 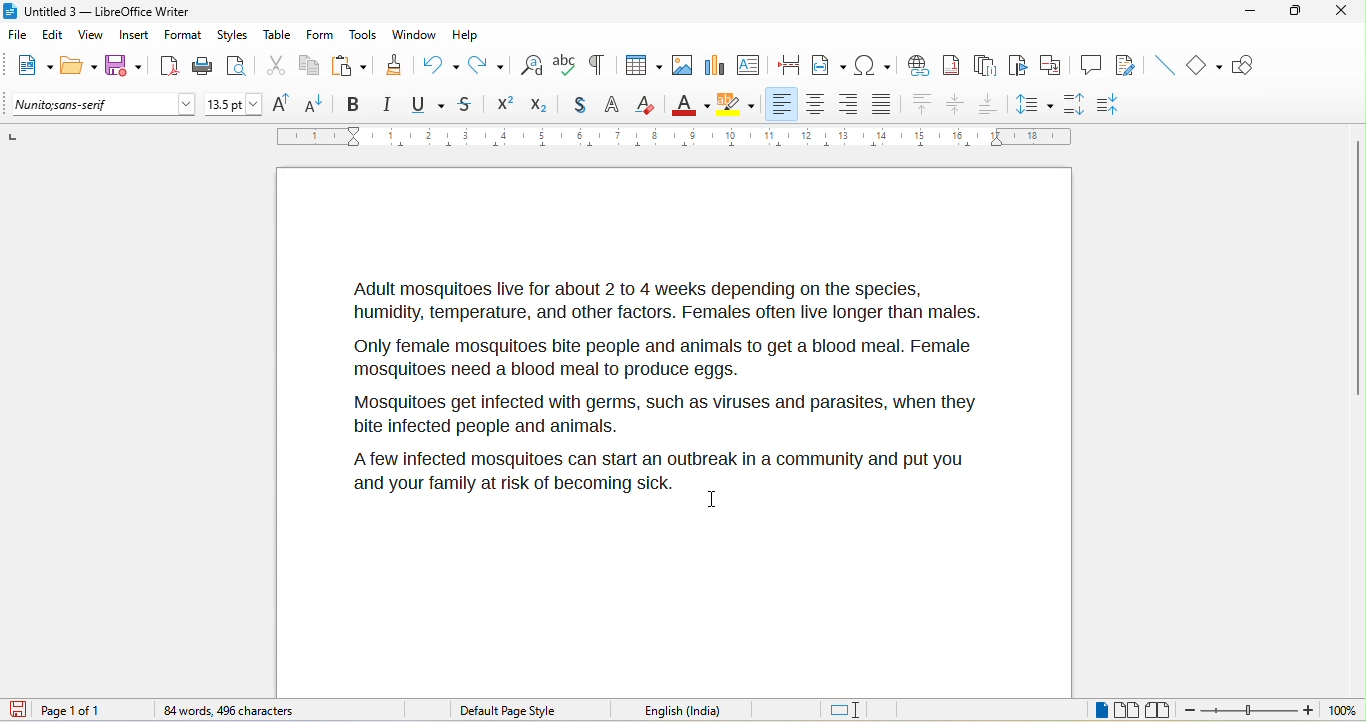 I want to click on ruler, so click(x=675, y=136).